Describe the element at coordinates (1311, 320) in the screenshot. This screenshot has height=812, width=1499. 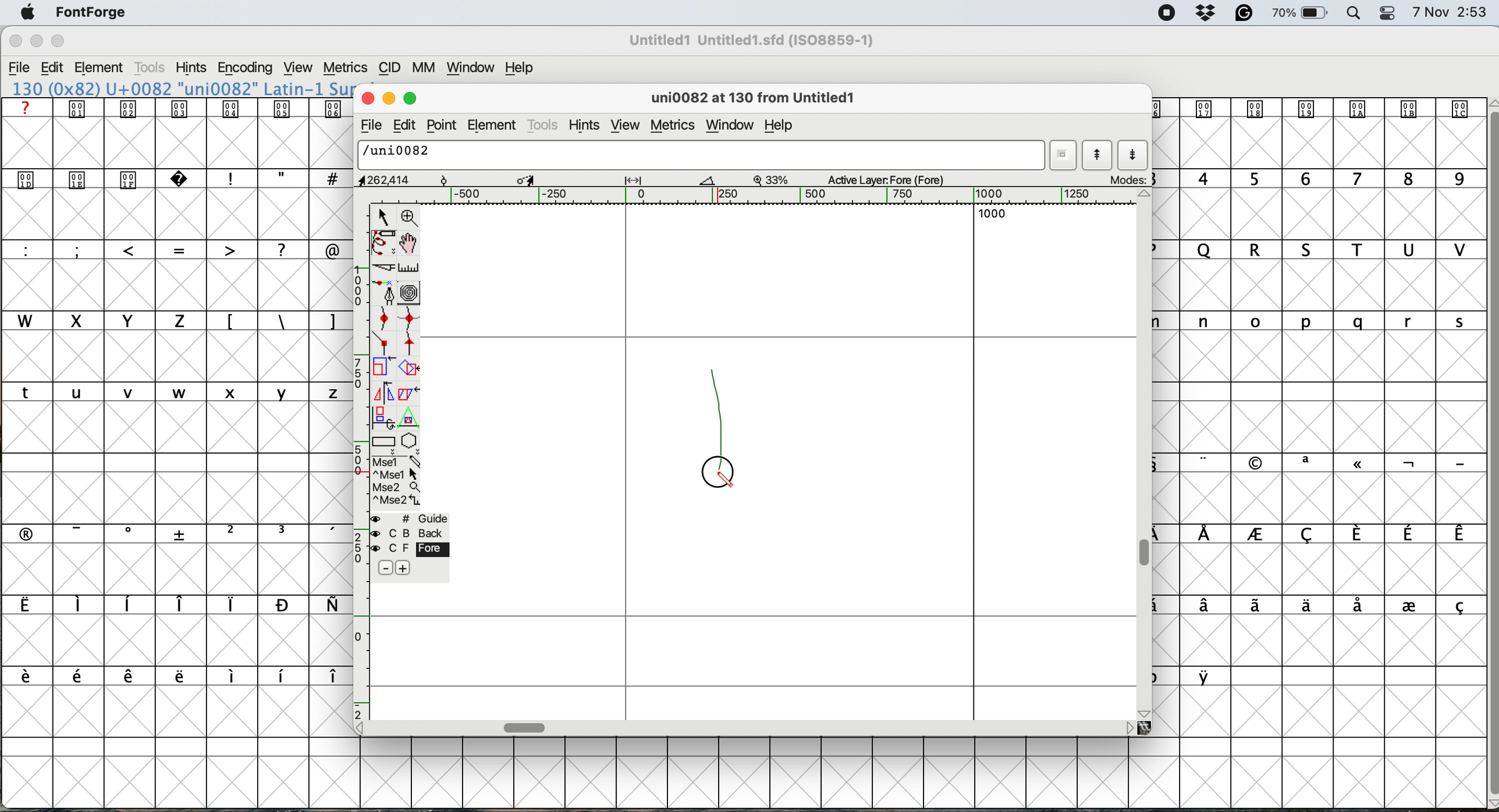
I see `lowercase letters` at that location.